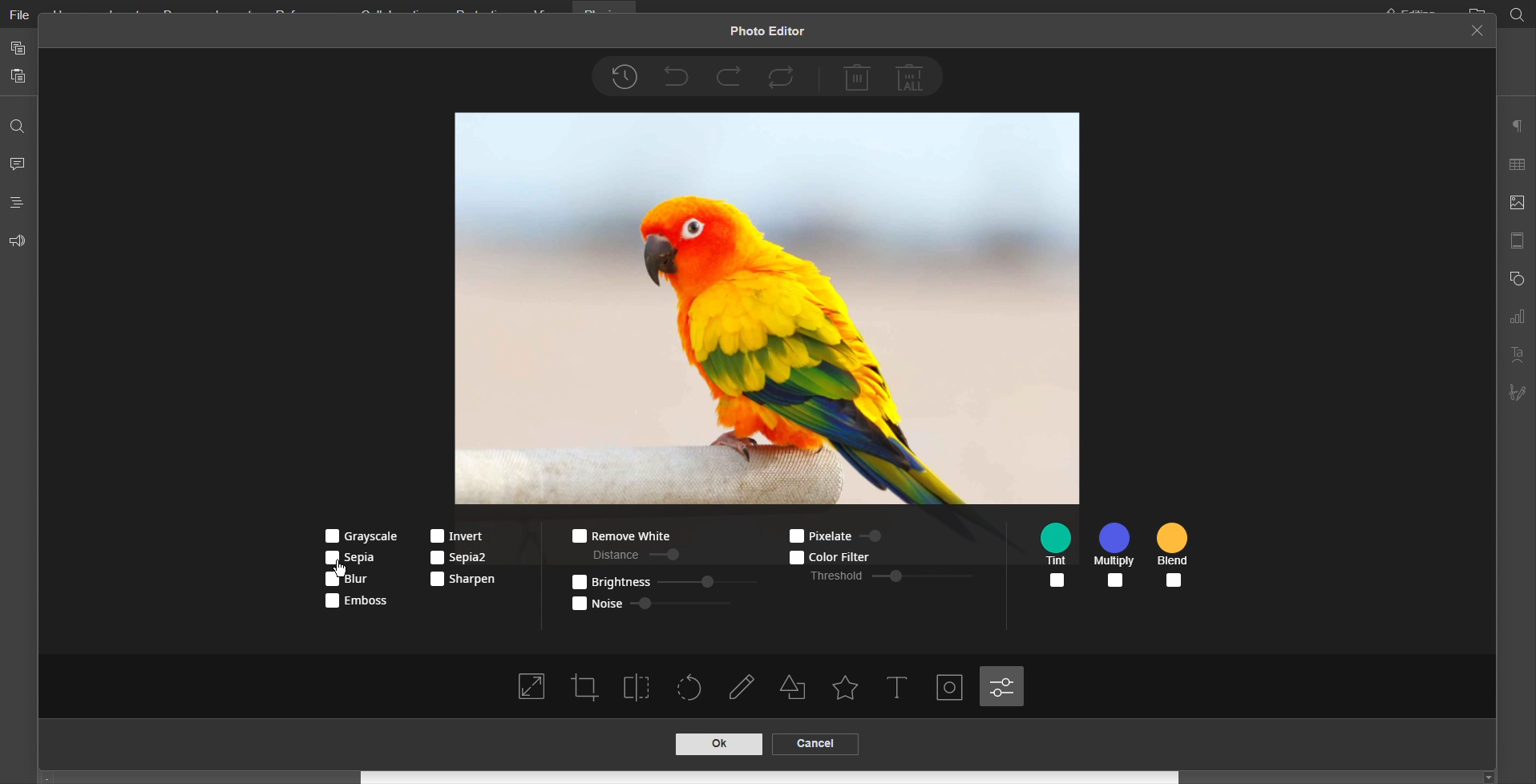 The width and height of the screenshot is (1536, 784). What do you see at coordinates (619, 536) in the screenshot?
I see `Remove white` at bounding box center [619, 536].